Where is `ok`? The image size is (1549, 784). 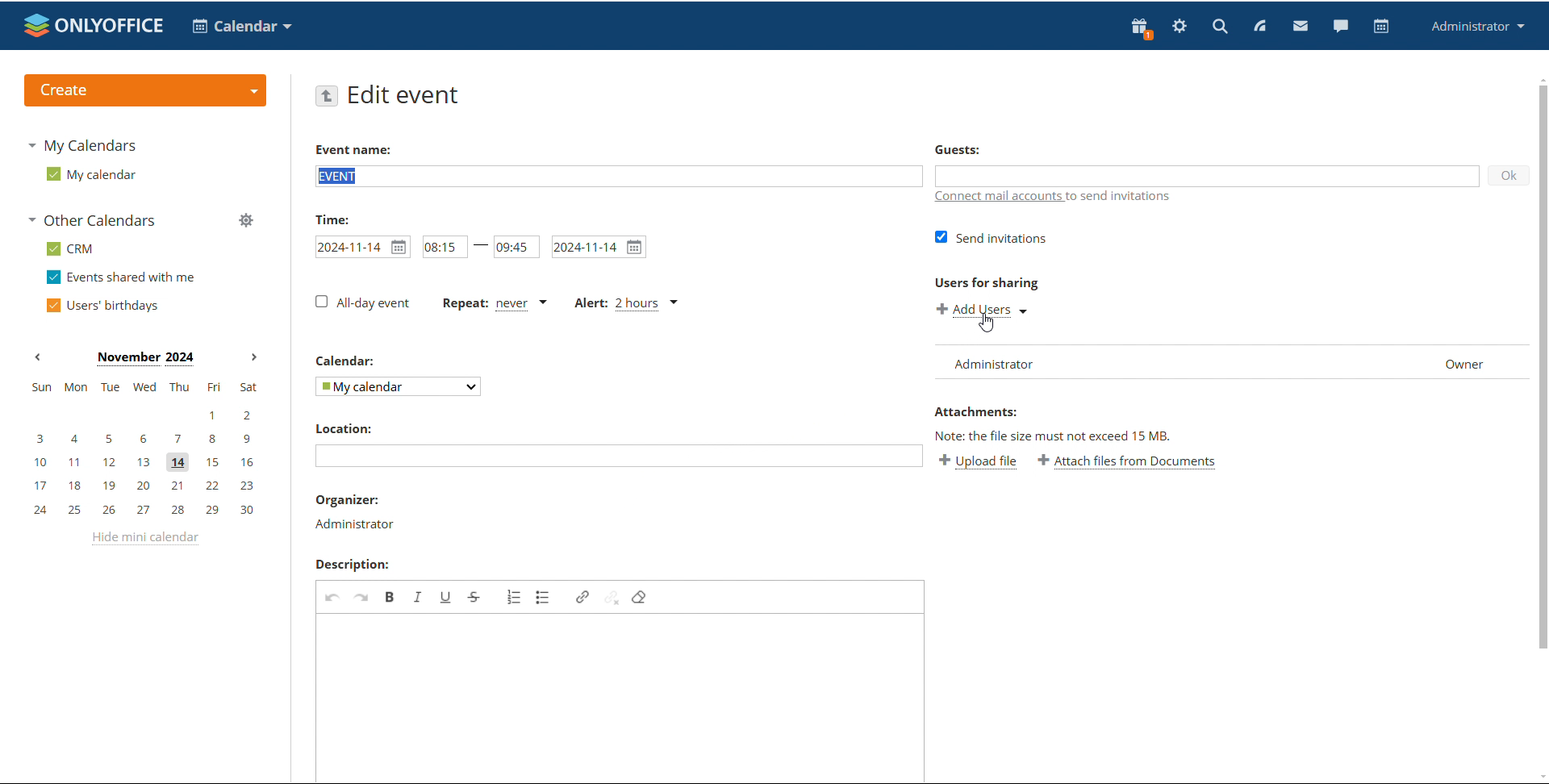
ok is located at coordinates (1509, 175).